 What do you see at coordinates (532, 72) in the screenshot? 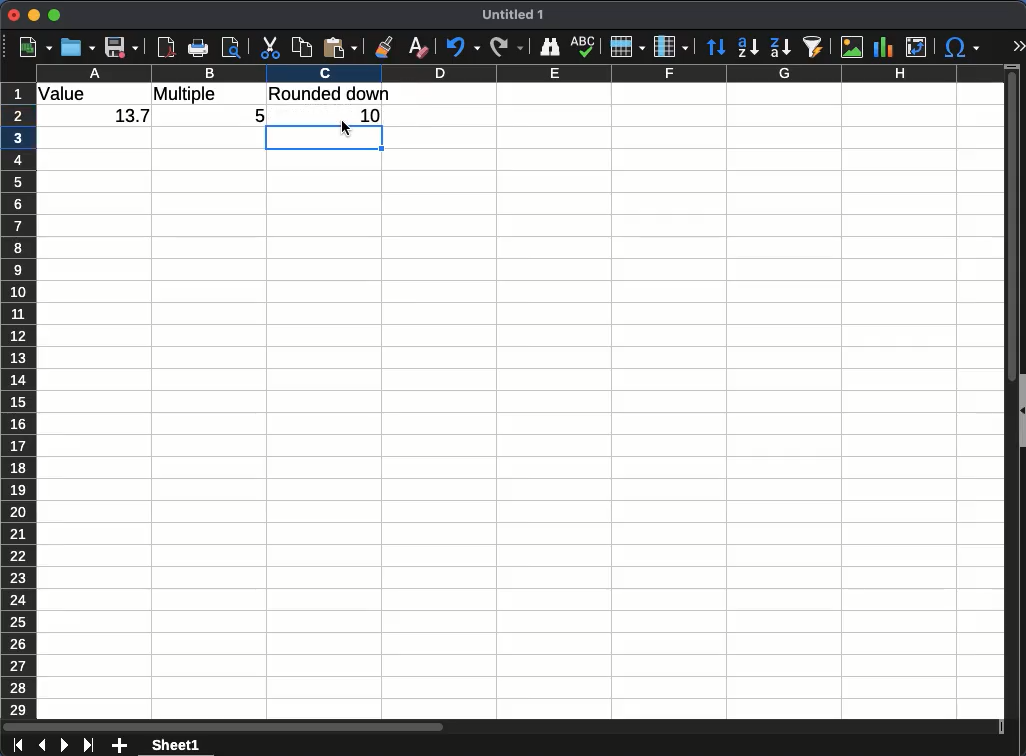
I see `column` at bounding box center [532, 72].